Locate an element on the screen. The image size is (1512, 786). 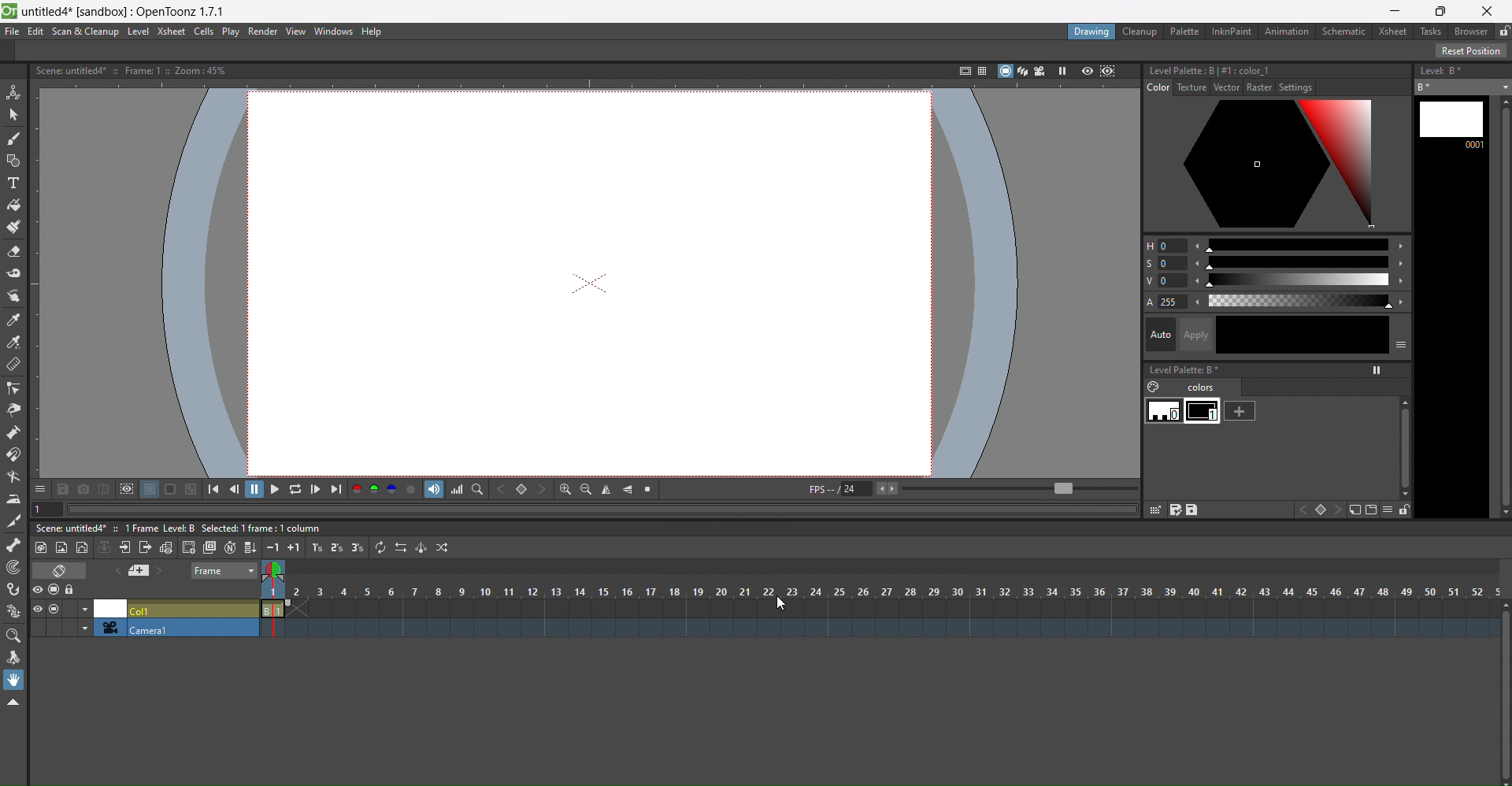
ruler tool is located at coordinates (13, 365).